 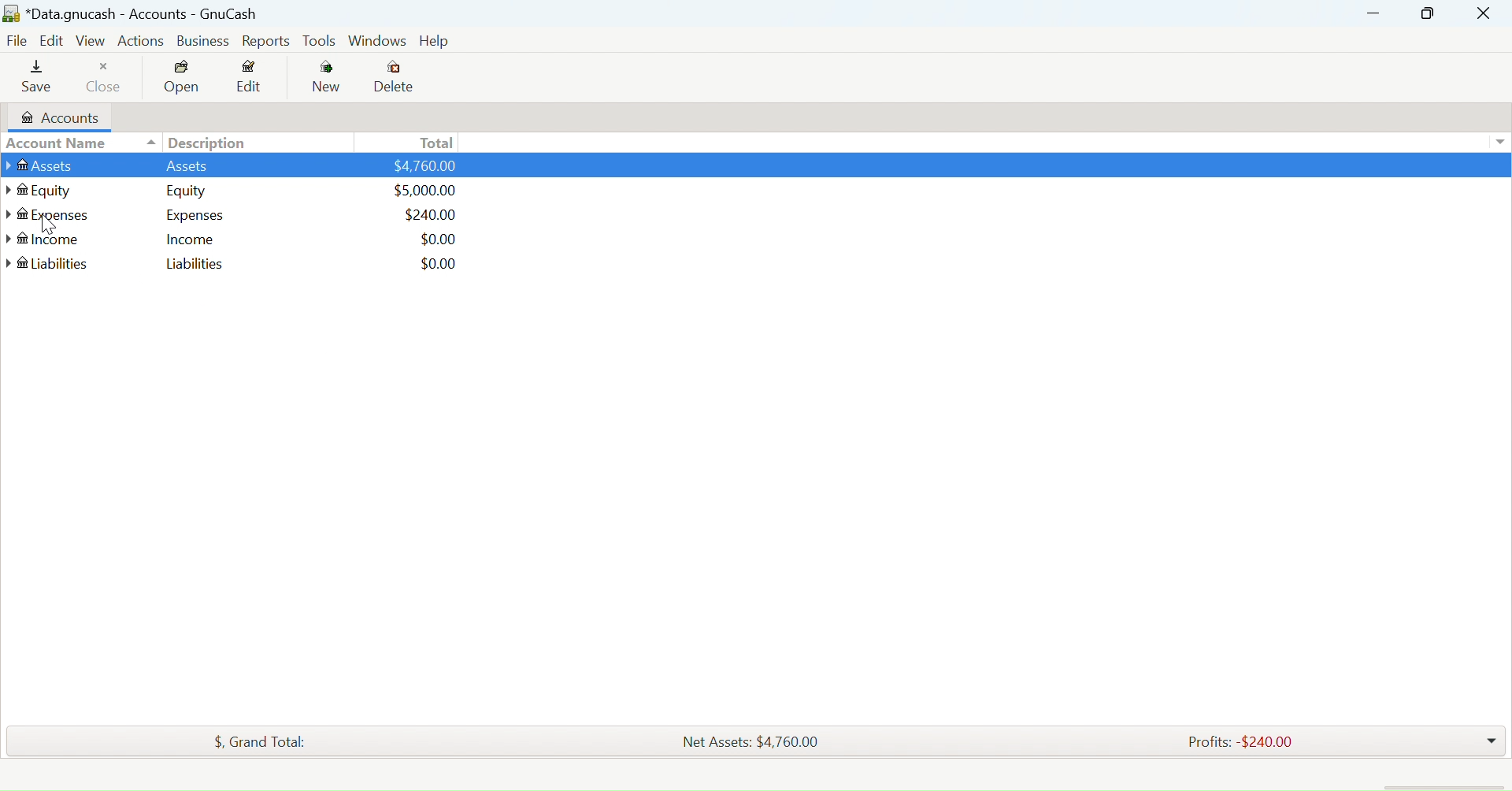 I want to click on Expenses Expenses $240.00, so click(x=244, y=217).